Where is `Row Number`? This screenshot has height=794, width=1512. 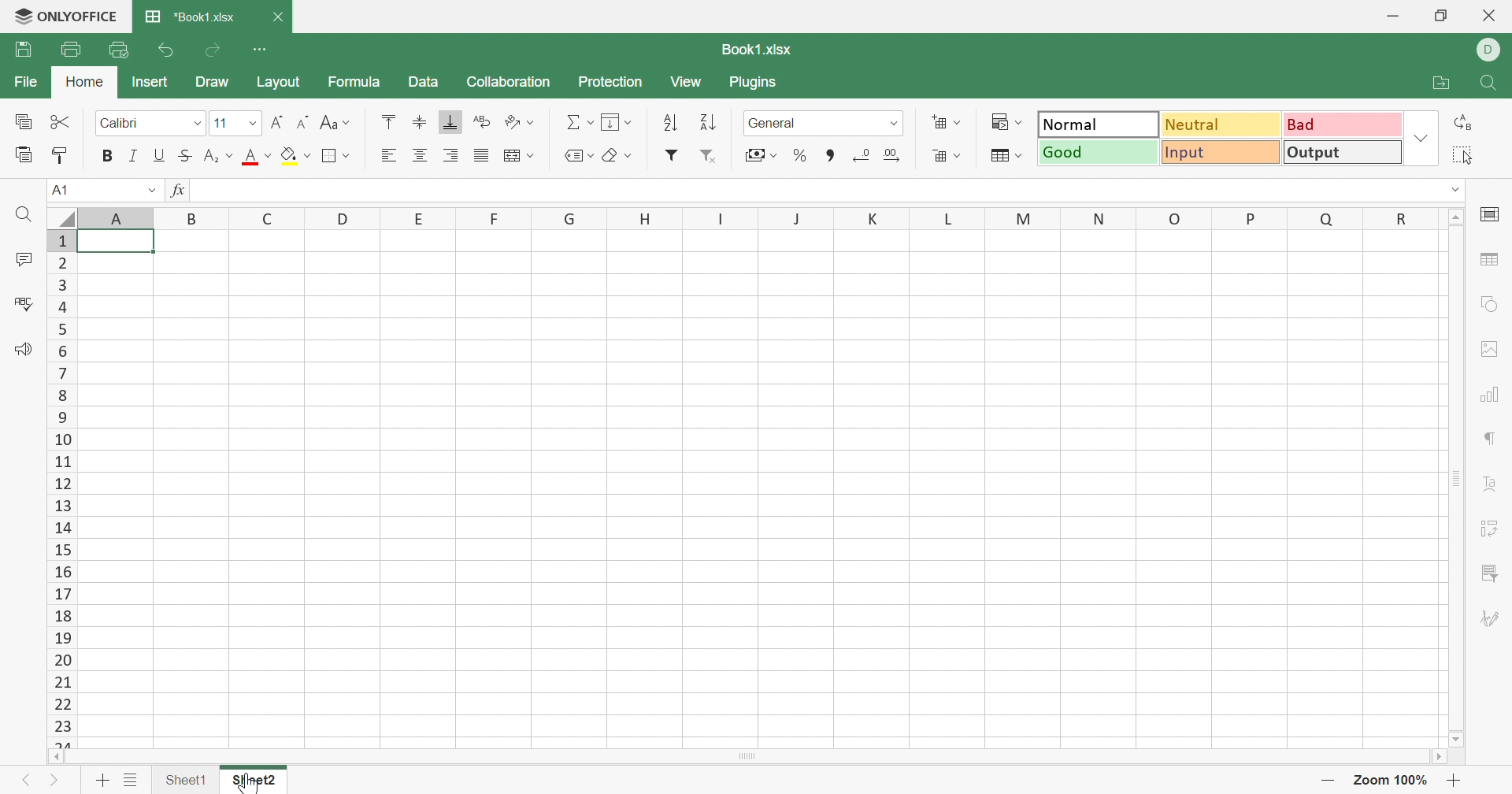 Row Number is located at coordinates (62, 489).